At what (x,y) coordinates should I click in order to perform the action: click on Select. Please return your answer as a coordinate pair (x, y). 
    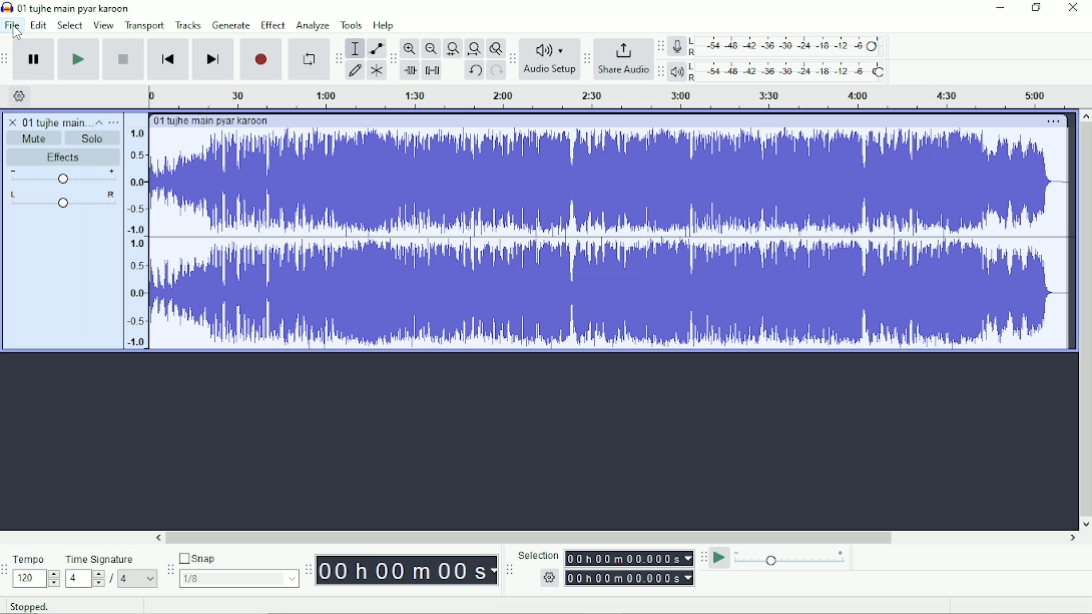
    Looking at the image, I should click on (69, 25).